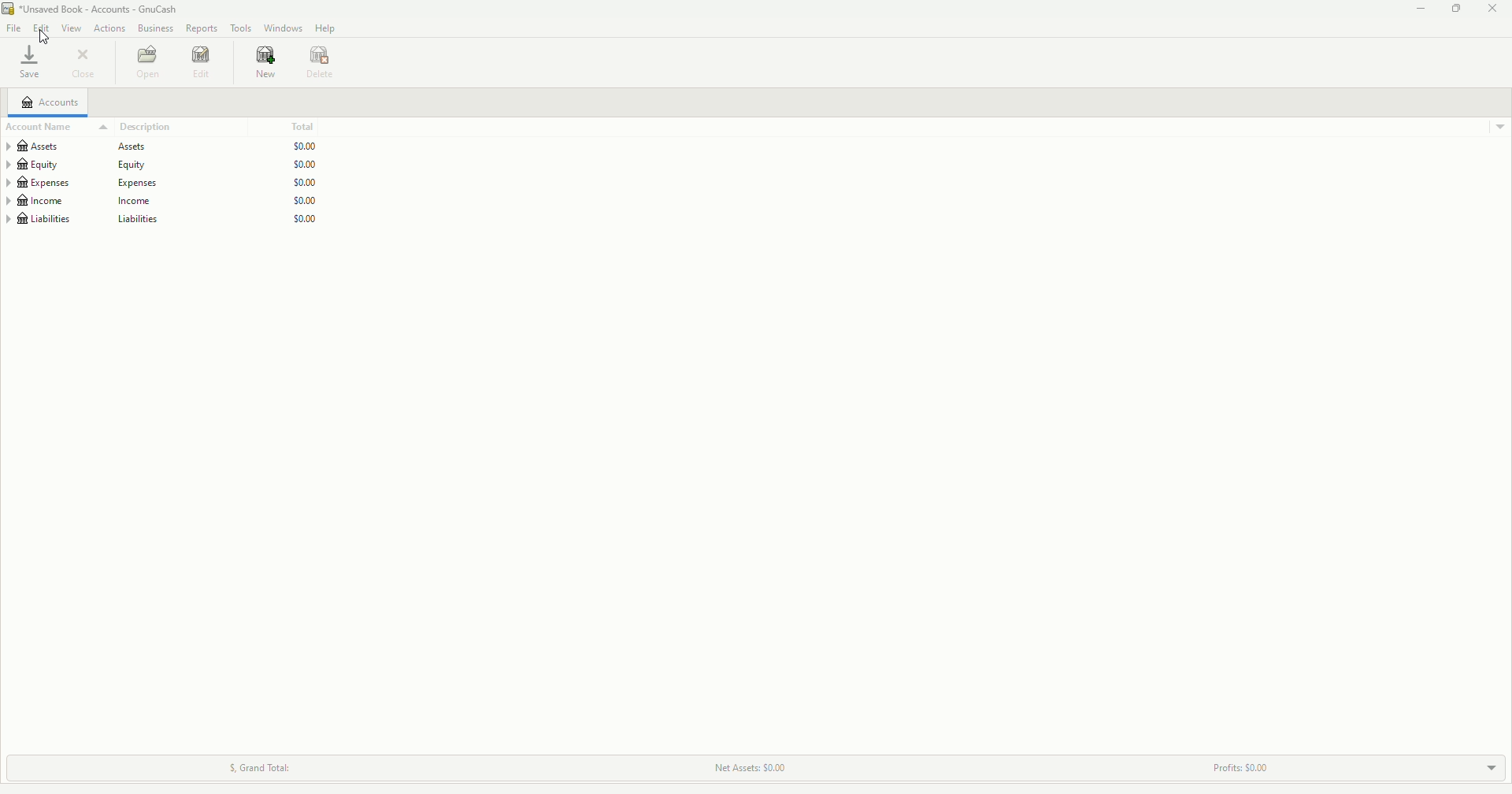 The height and width of the screenshot is (794, 1512). What do you see at coordinates (155, 28) in the screenshot?
I see `Business` at bounding box center [155, 28].